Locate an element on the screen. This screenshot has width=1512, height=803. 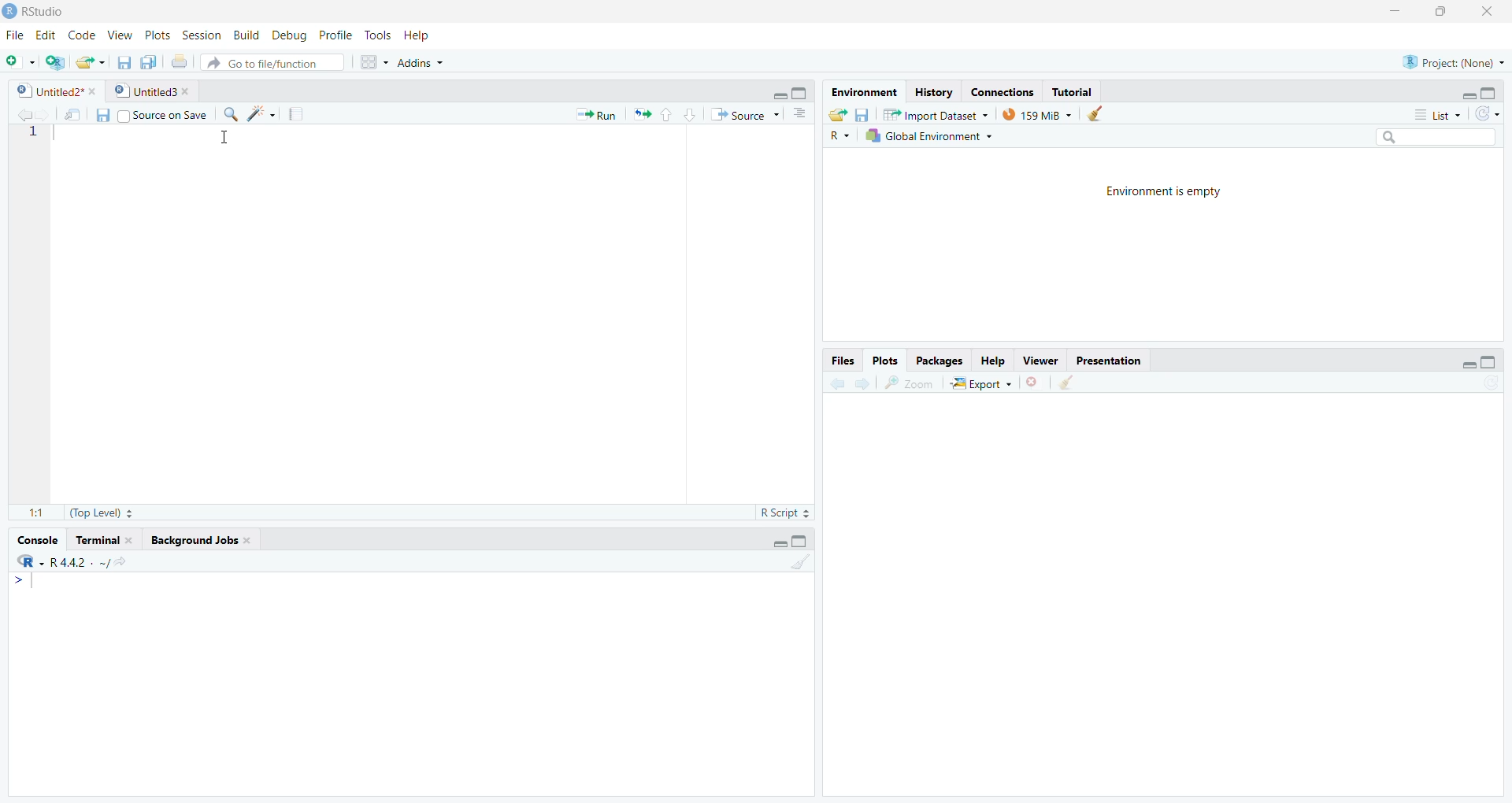
Delete is located at coordinates (1033, 383).